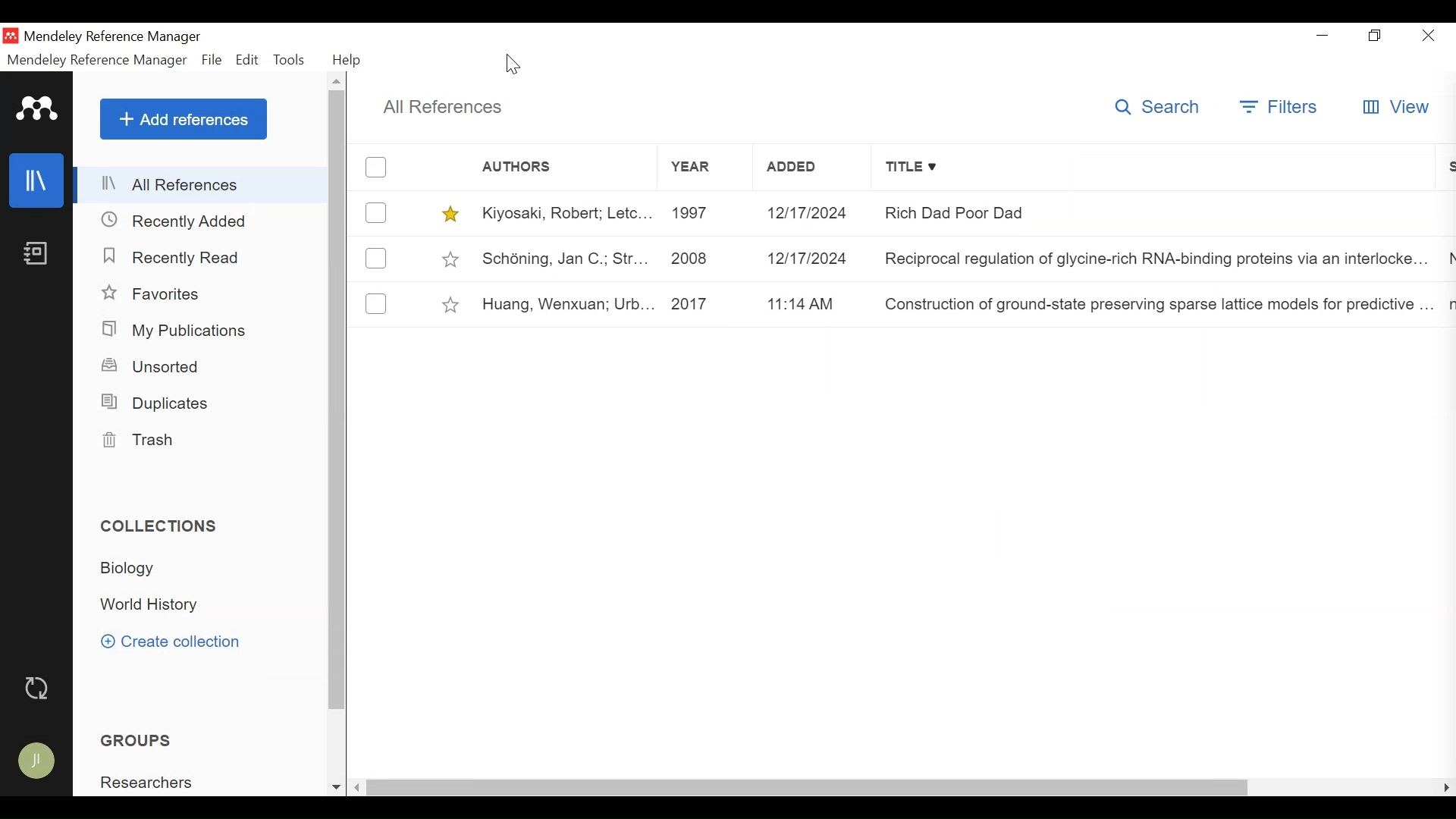 Image resolution: width=1456 pixels, height=819 pixels. What do you see at coordinates (1444, 788) in the screenshot?
I see `Scroll Right` at bounding box center [1444, 788].